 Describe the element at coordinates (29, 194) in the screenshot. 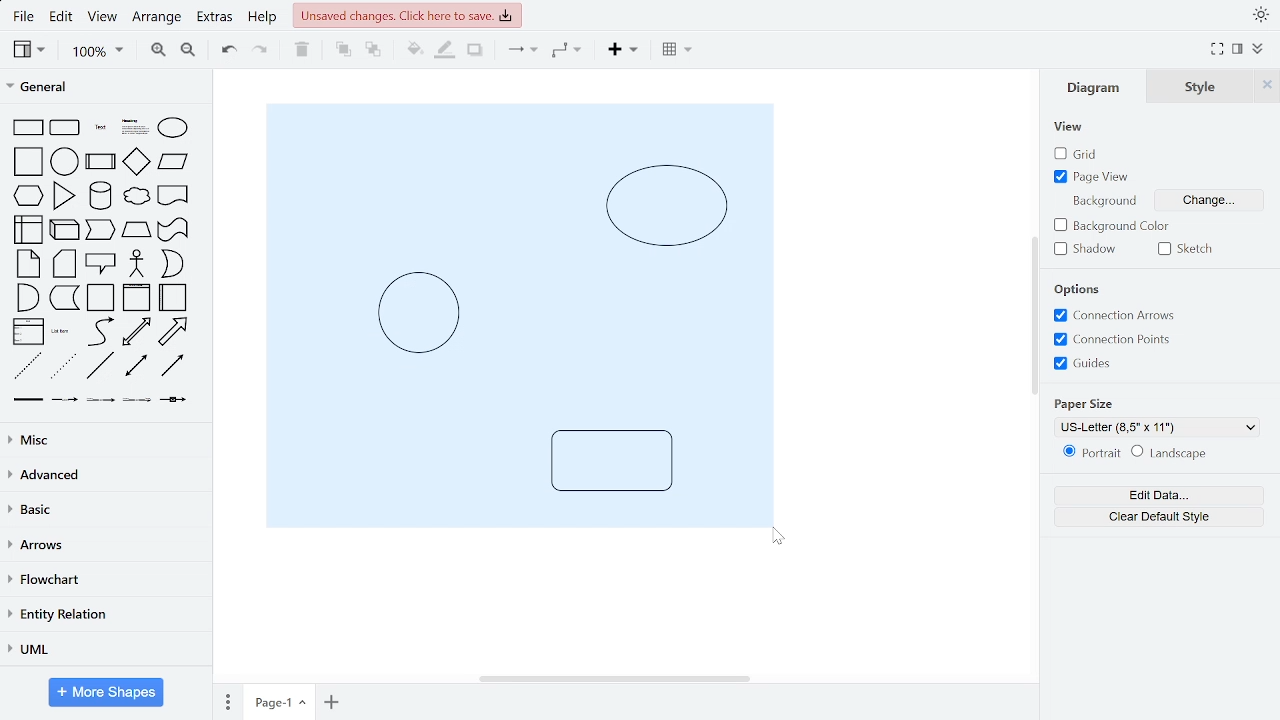

I see `hexagon` at that location.